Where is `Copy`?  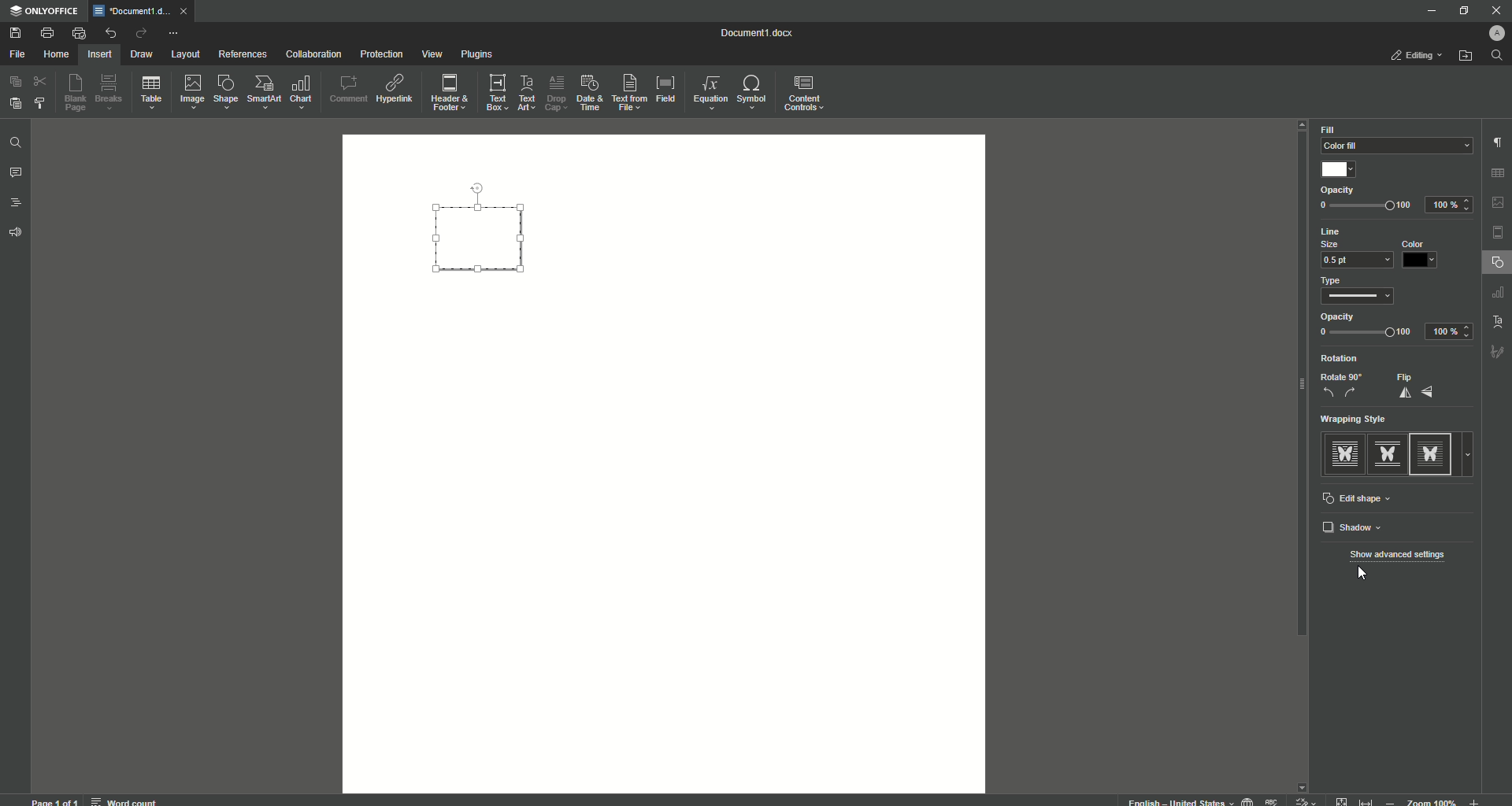
Copy is located at coordinates (16, 82).